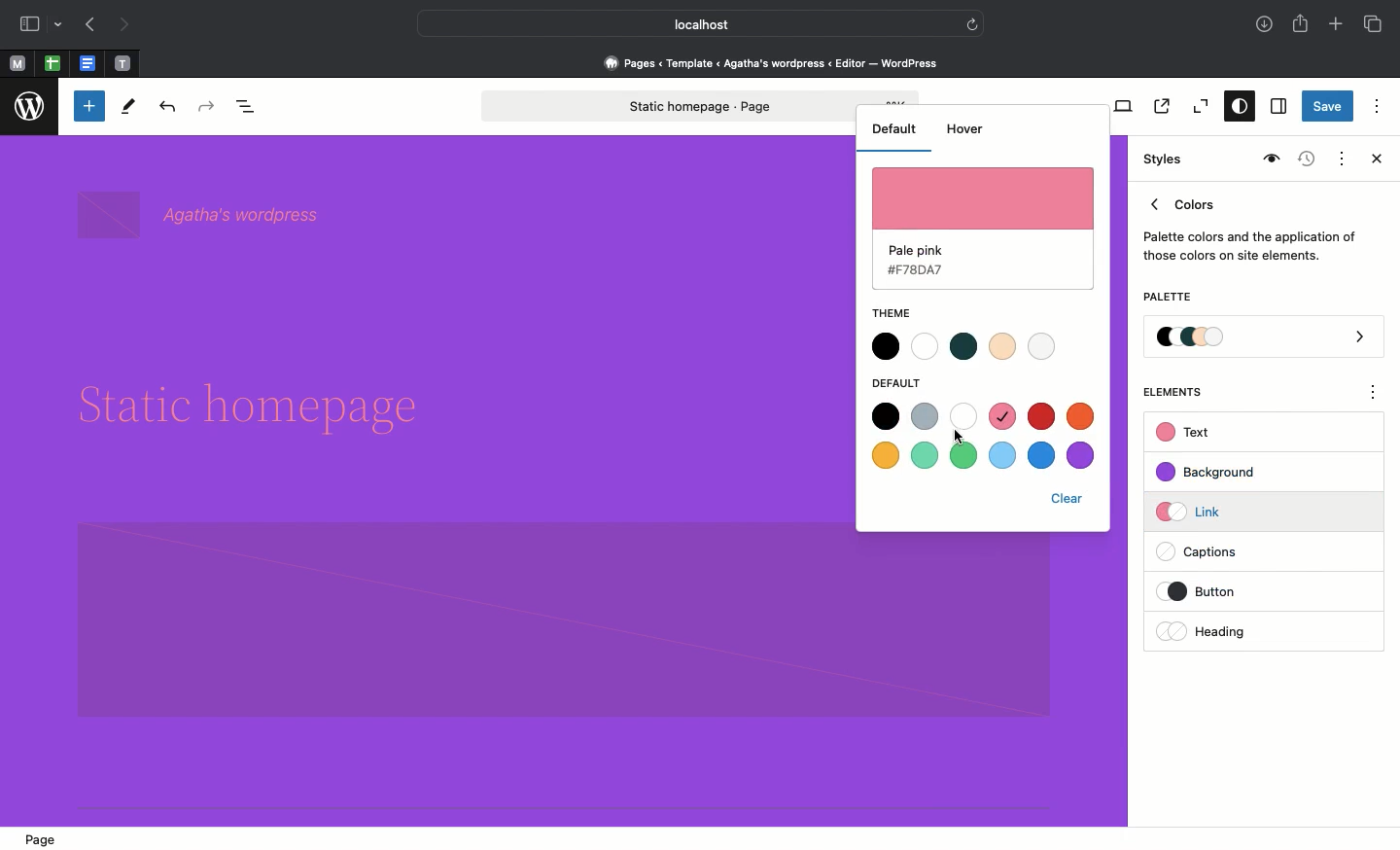  I want to click on Options, so click(1377, 105).